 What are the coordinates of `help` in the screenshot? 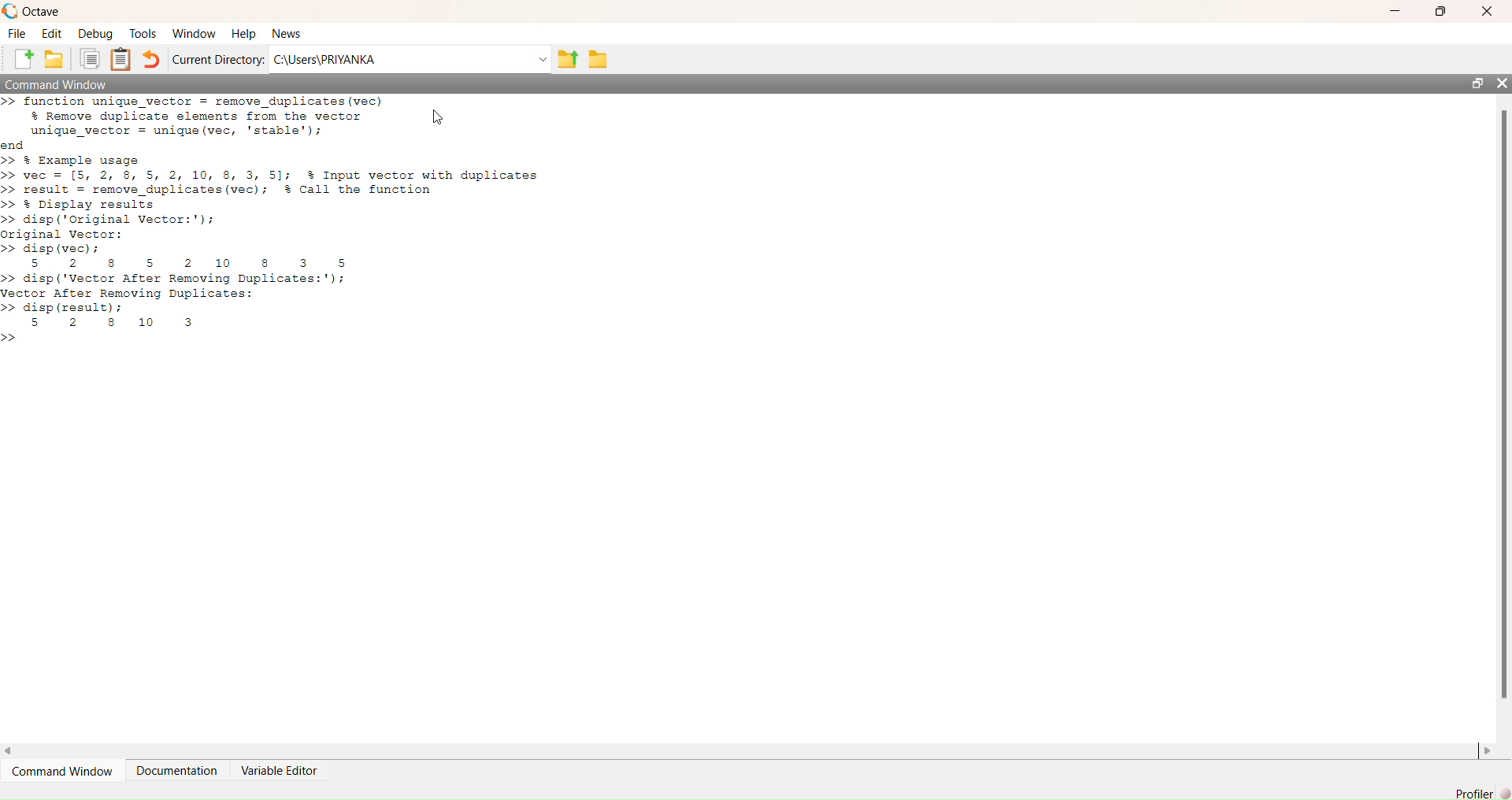 It's located at (244, 35).